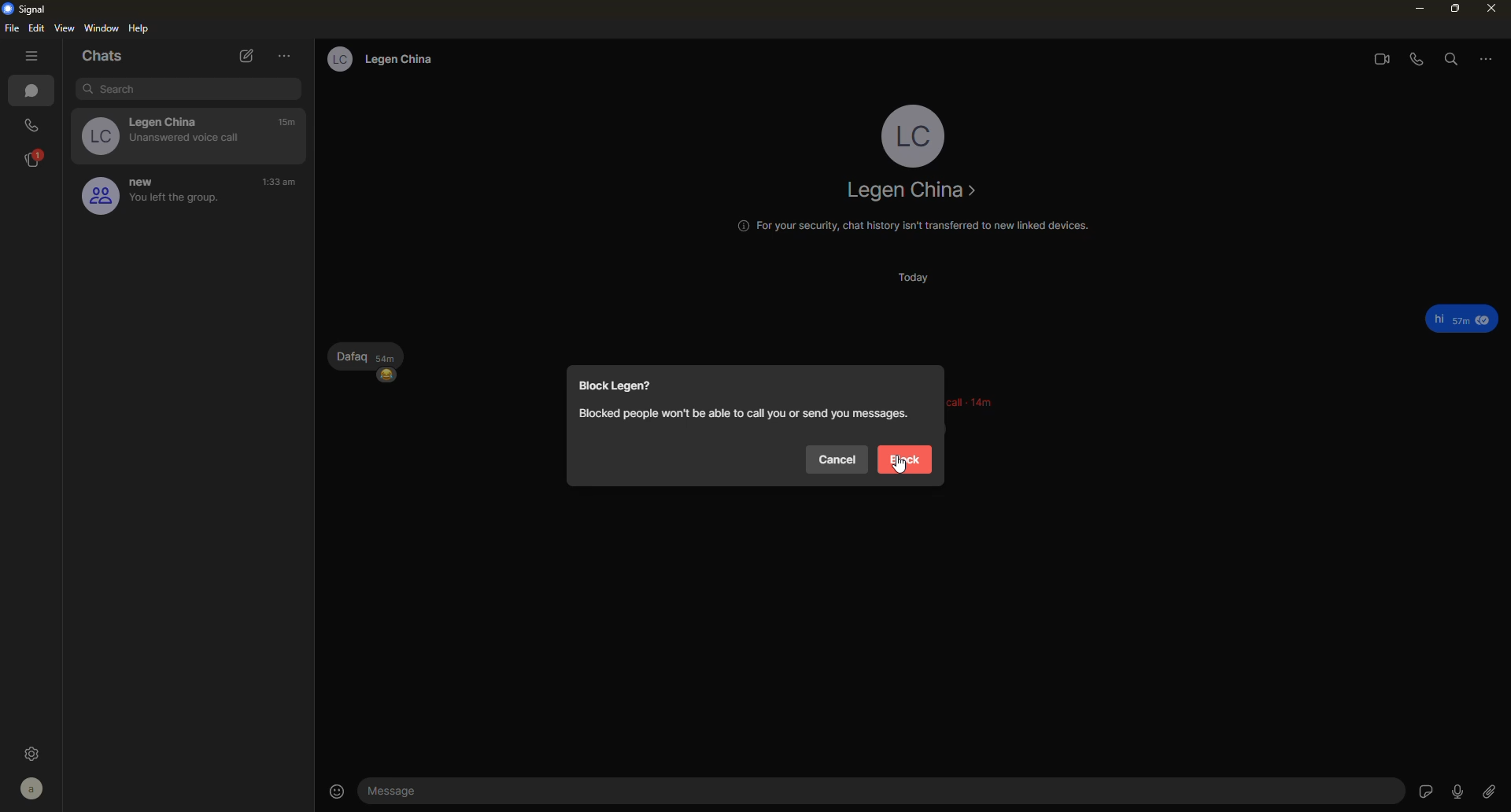  What do you see at coordinates (1410, 9) in the screenshot?
I see `minimize` at bounding box center [1410, 9].